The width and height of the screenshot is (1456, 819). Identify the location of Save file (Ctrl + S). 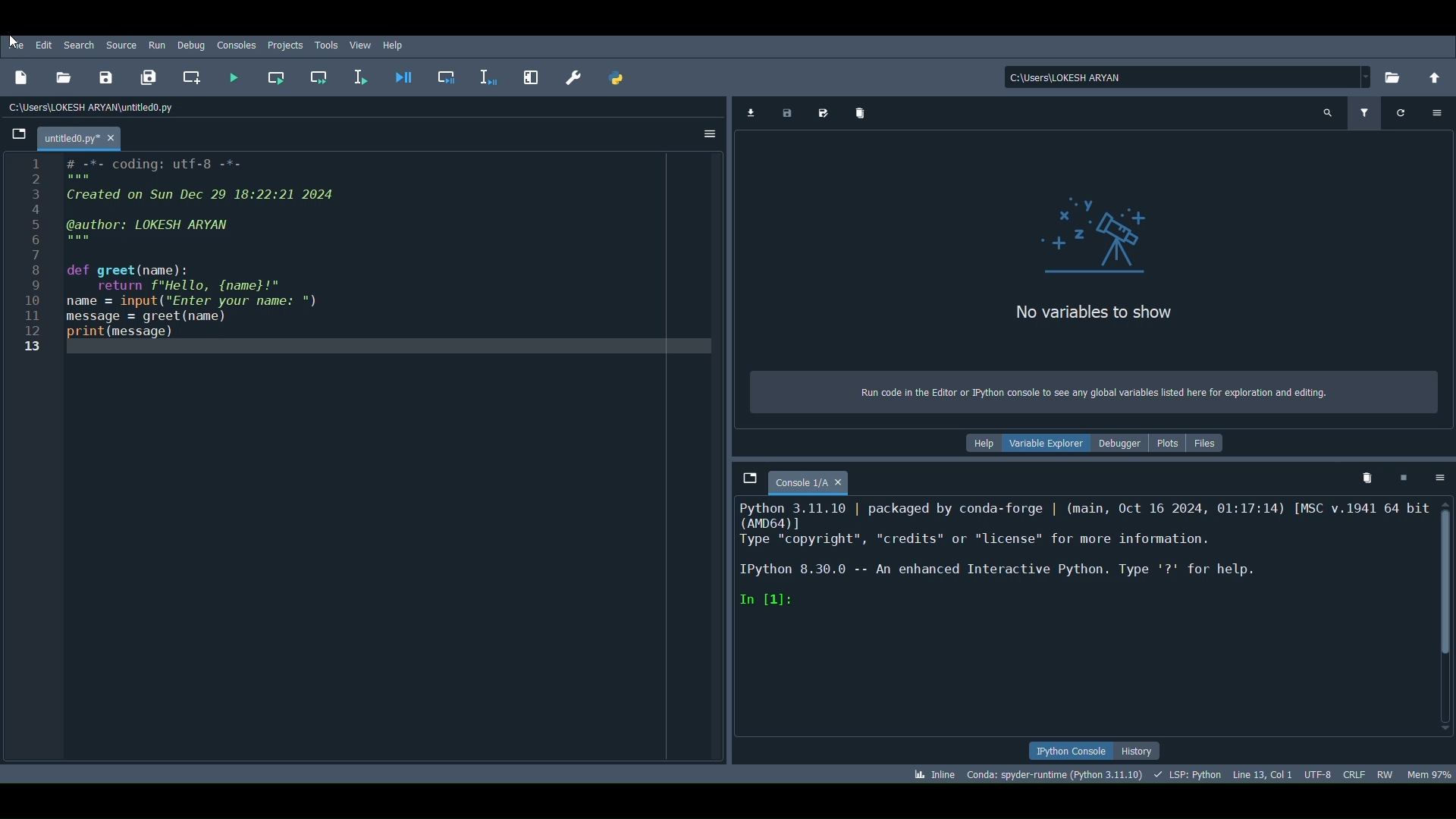
(104, 74).